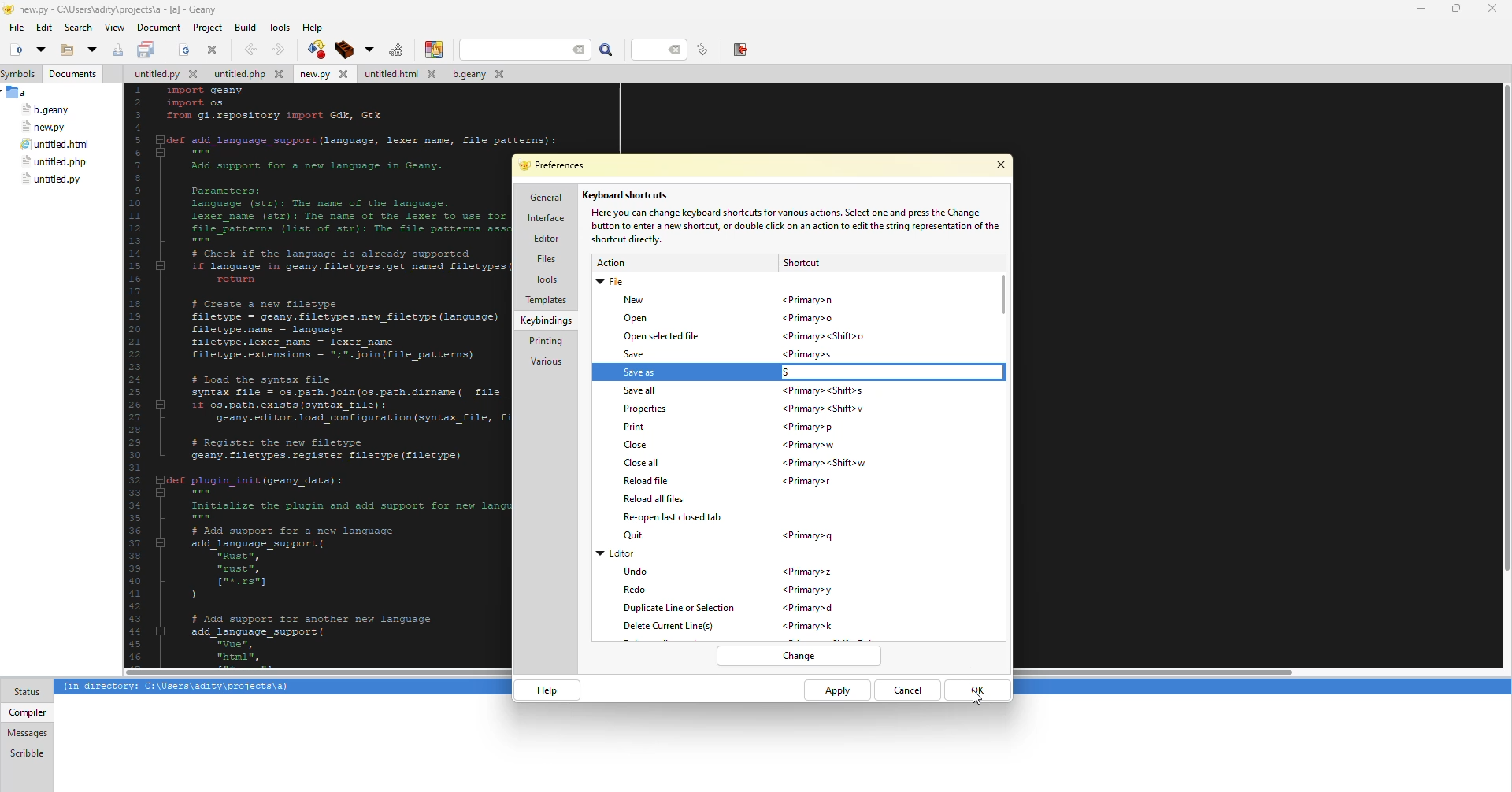  I want to click on open, so click(39, 49).